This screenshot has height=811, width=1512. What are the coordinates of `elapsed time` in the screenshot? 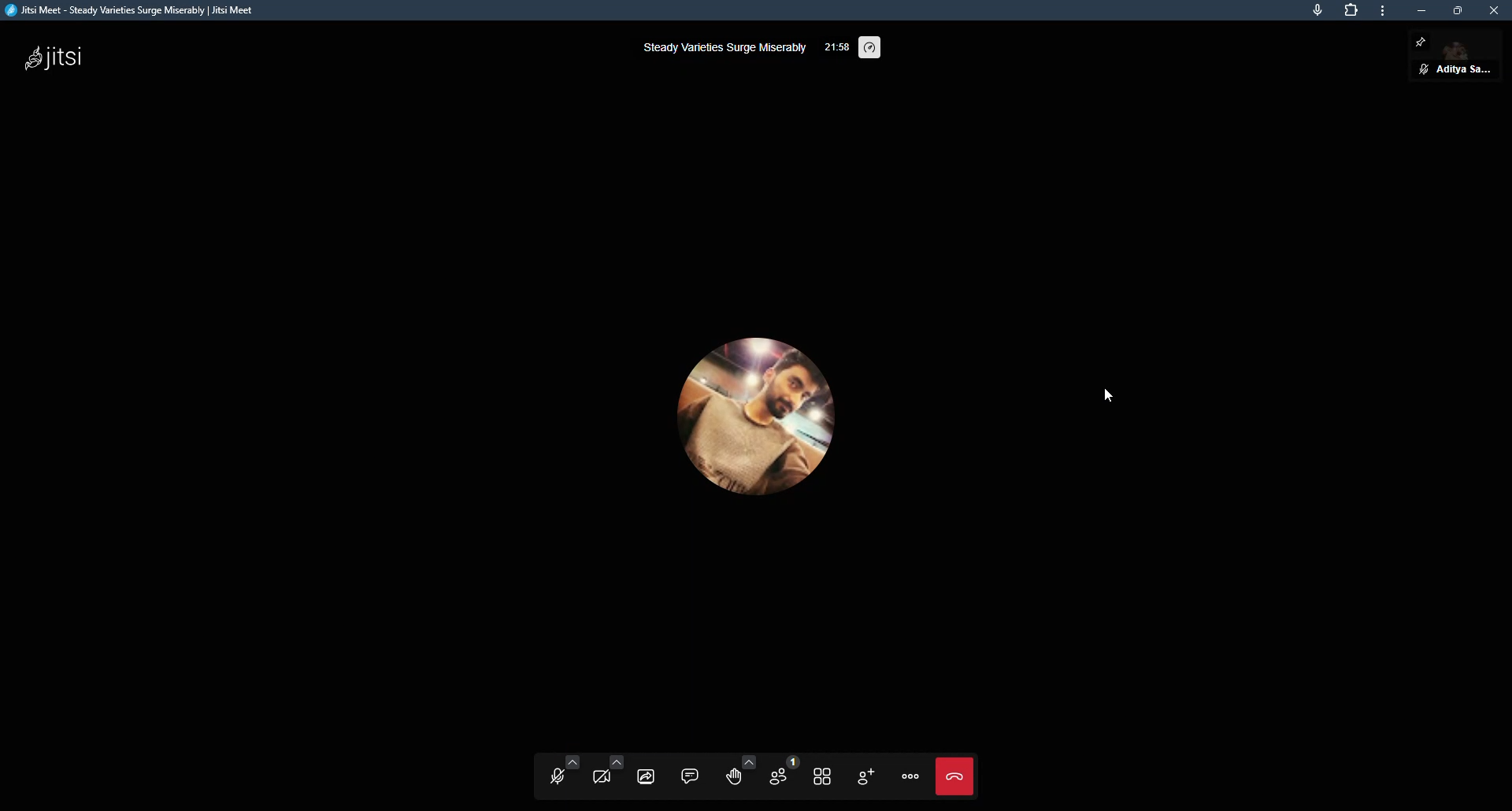 It's located at (837, 46).